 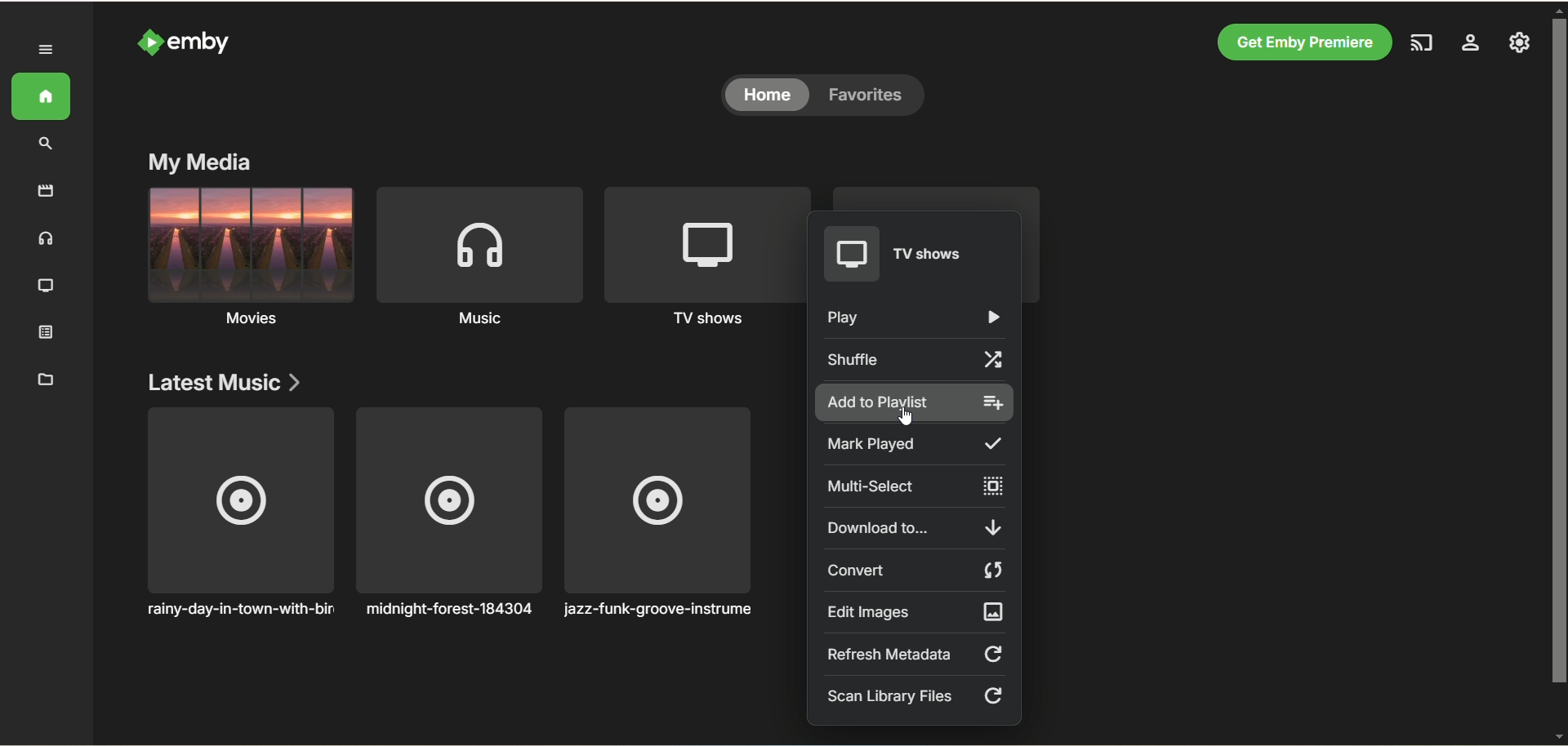 I want to click on Music album, so click(x=238, y=513).